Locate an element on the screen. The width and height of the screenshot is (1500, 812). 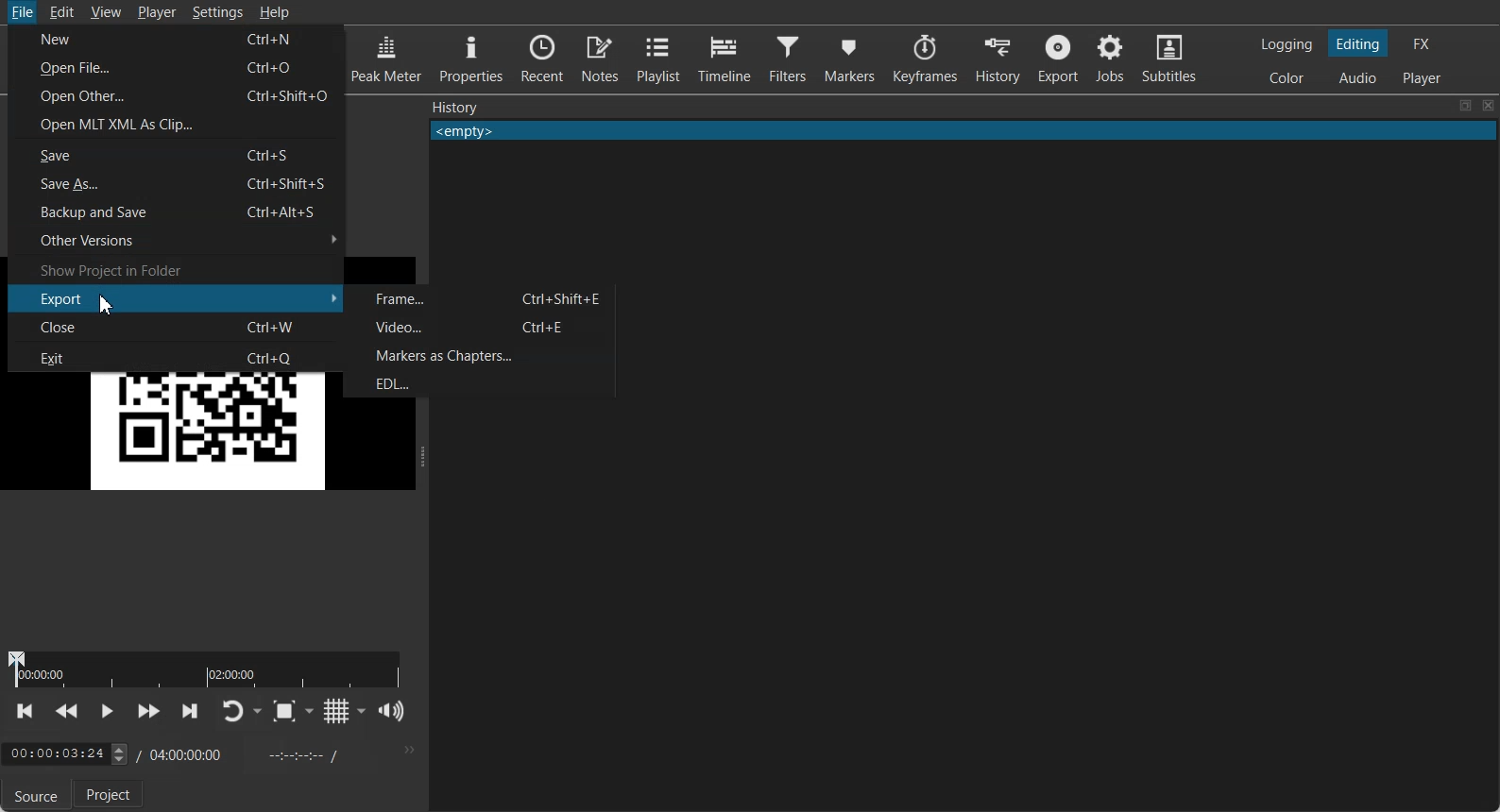
Help is located at coordinates (274, 11).